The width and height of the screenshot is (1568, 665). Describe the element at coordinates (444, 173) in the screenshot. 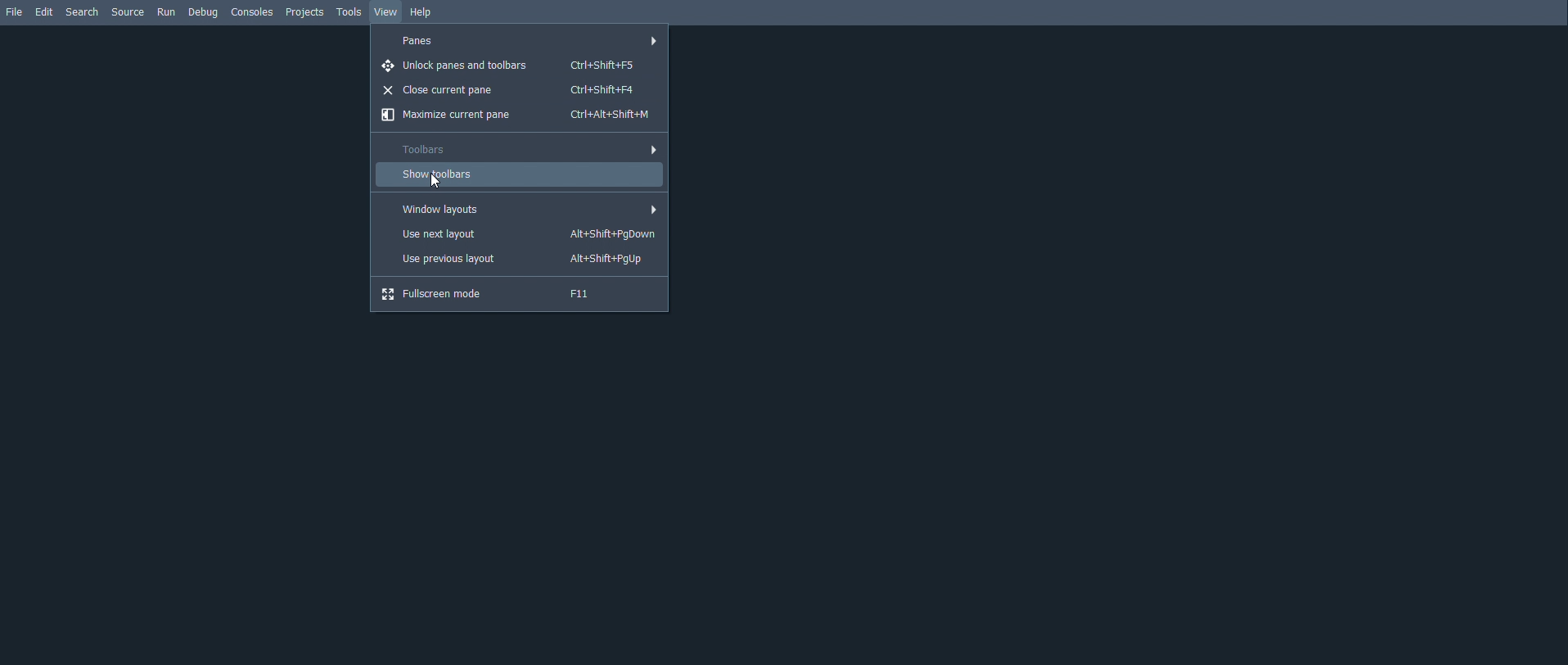

I see `Show toolbars` at that location.